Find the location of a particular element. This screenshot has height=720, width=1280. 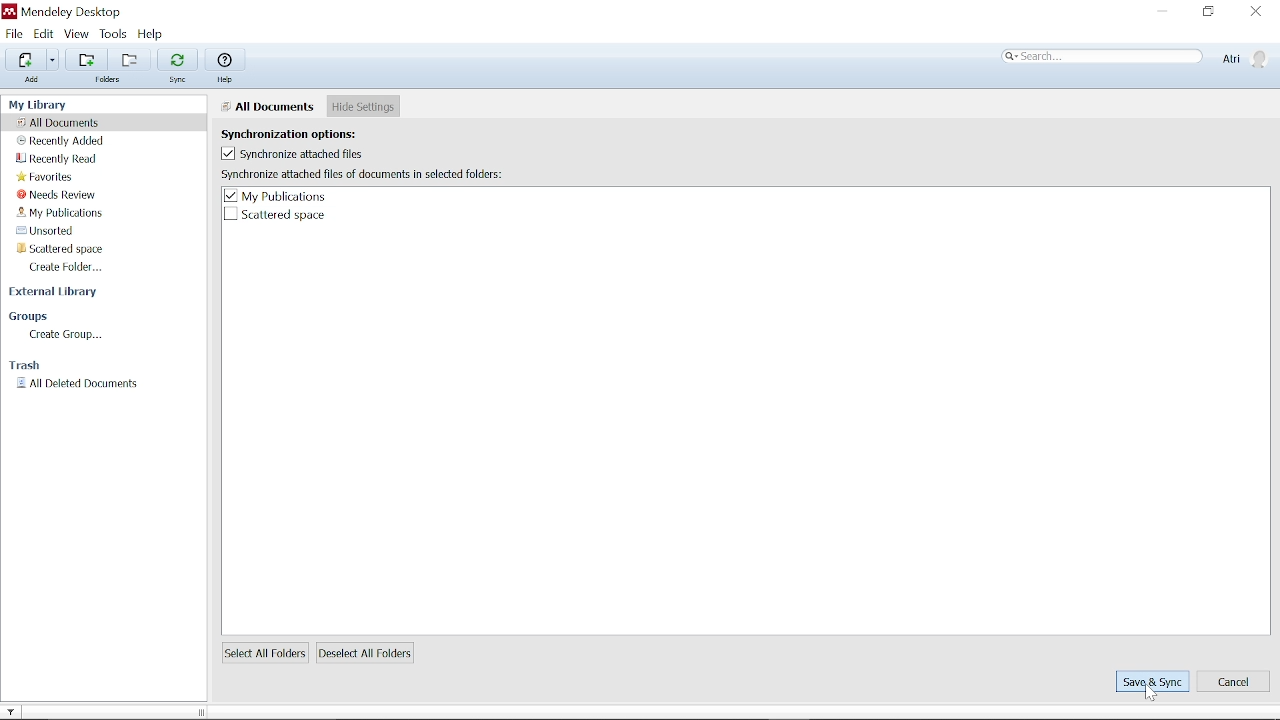

Deselect all folders is located at coordinates (369, 653).